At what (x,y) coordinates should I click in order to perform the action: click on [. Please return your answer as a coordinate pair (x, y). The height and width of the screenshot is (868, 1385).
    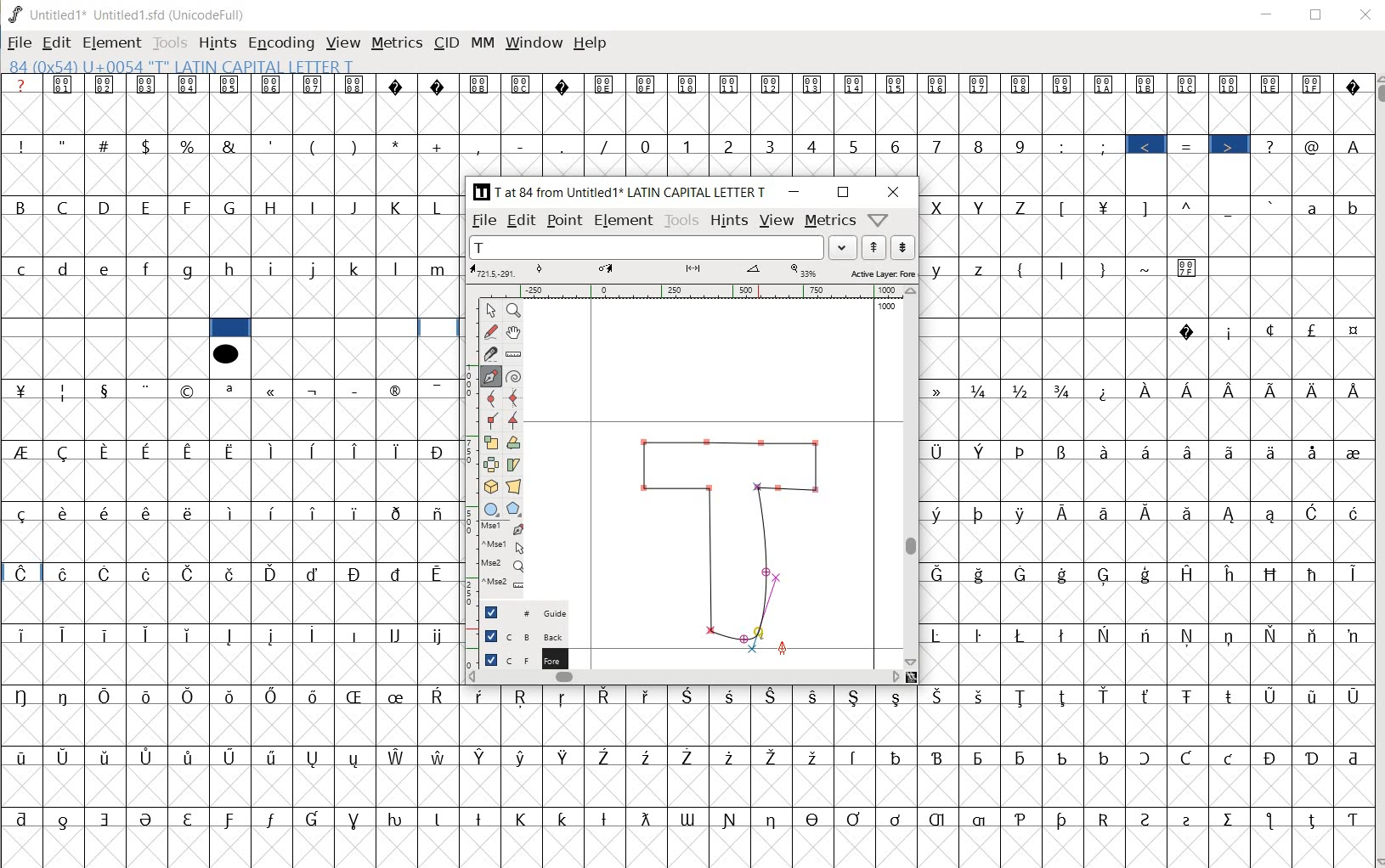
    Looking at the image, I should click on (1064, 208).